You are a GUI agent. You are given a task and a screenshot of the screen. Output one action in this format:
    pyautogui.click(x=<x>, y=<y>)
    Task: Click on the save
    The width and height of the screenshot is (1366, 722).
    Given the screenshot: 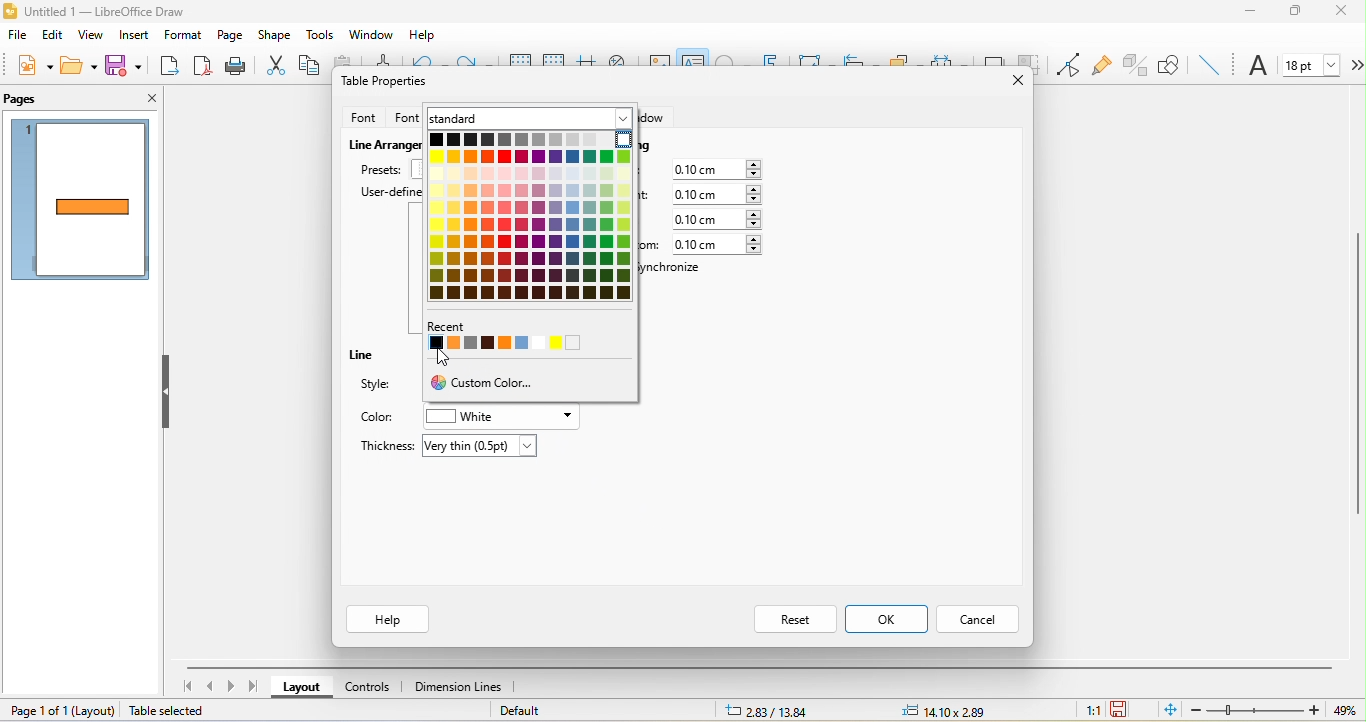 What is the action you would take?
    pyautogui.click(x=124, y=65)
    